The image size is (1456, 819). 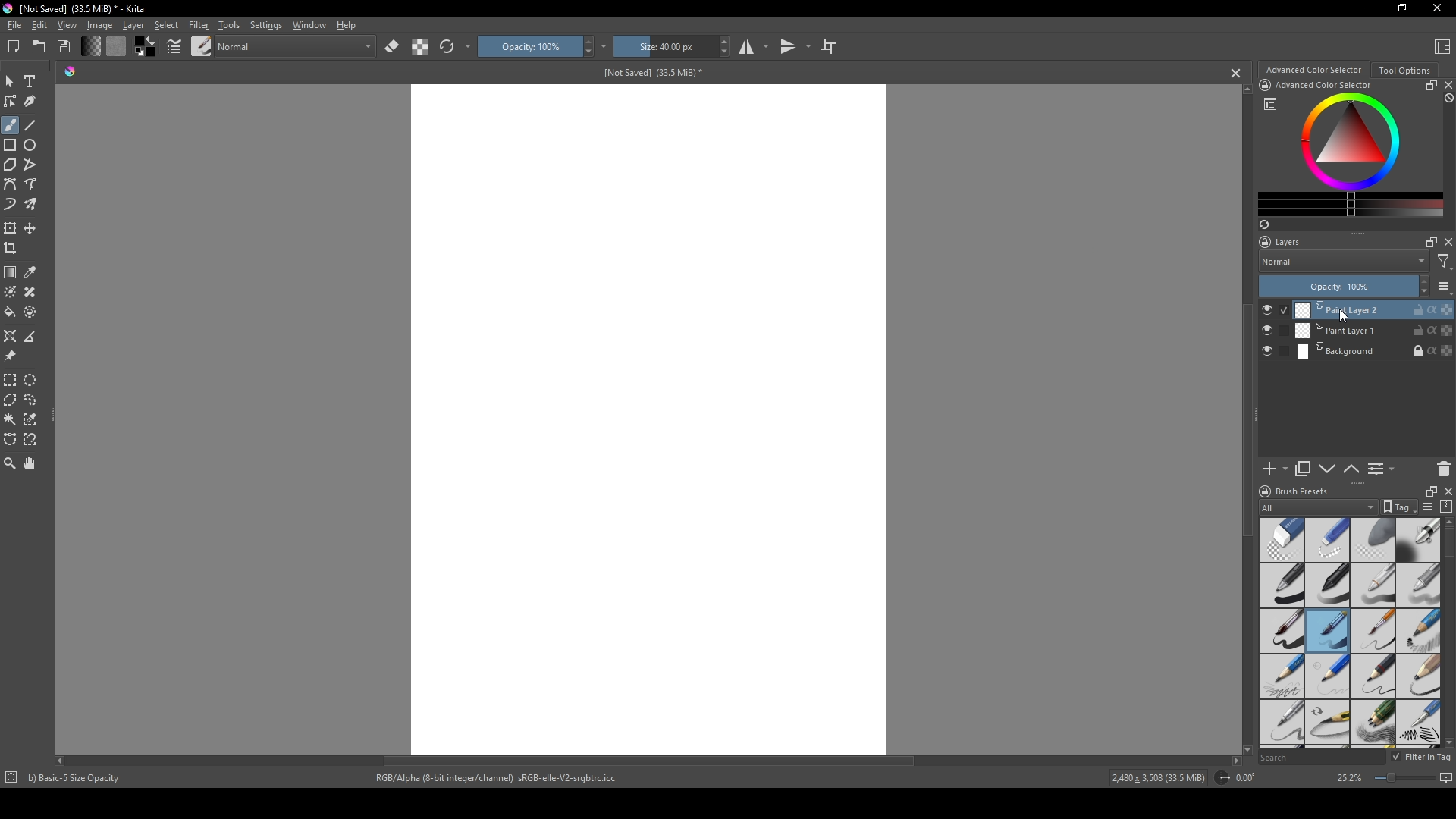 I want to click on pan, so click(x=31, y=463).